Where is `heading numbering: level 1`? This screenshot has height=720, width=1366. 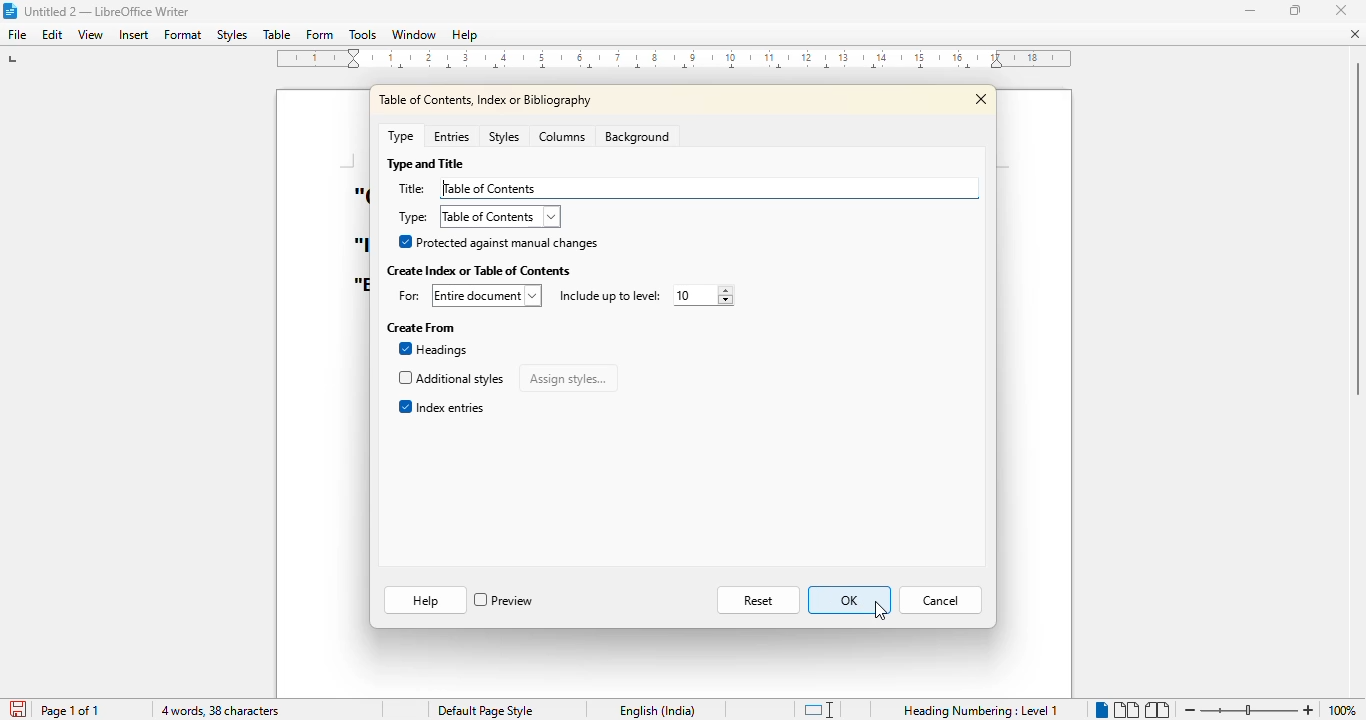 heading numbering: level 1 is located at coordinates (981, 711).